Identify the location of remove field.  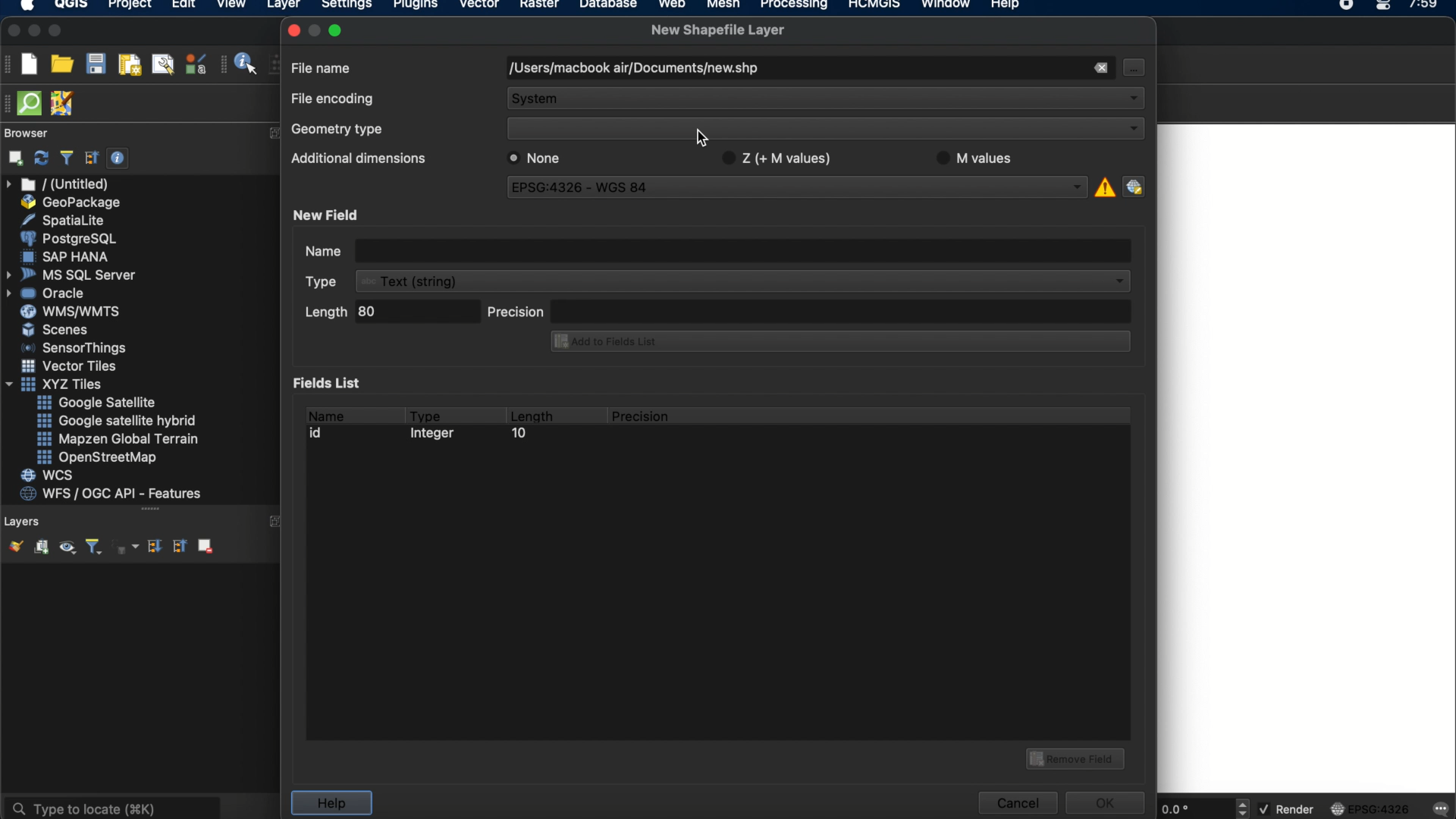
(1078, 757).